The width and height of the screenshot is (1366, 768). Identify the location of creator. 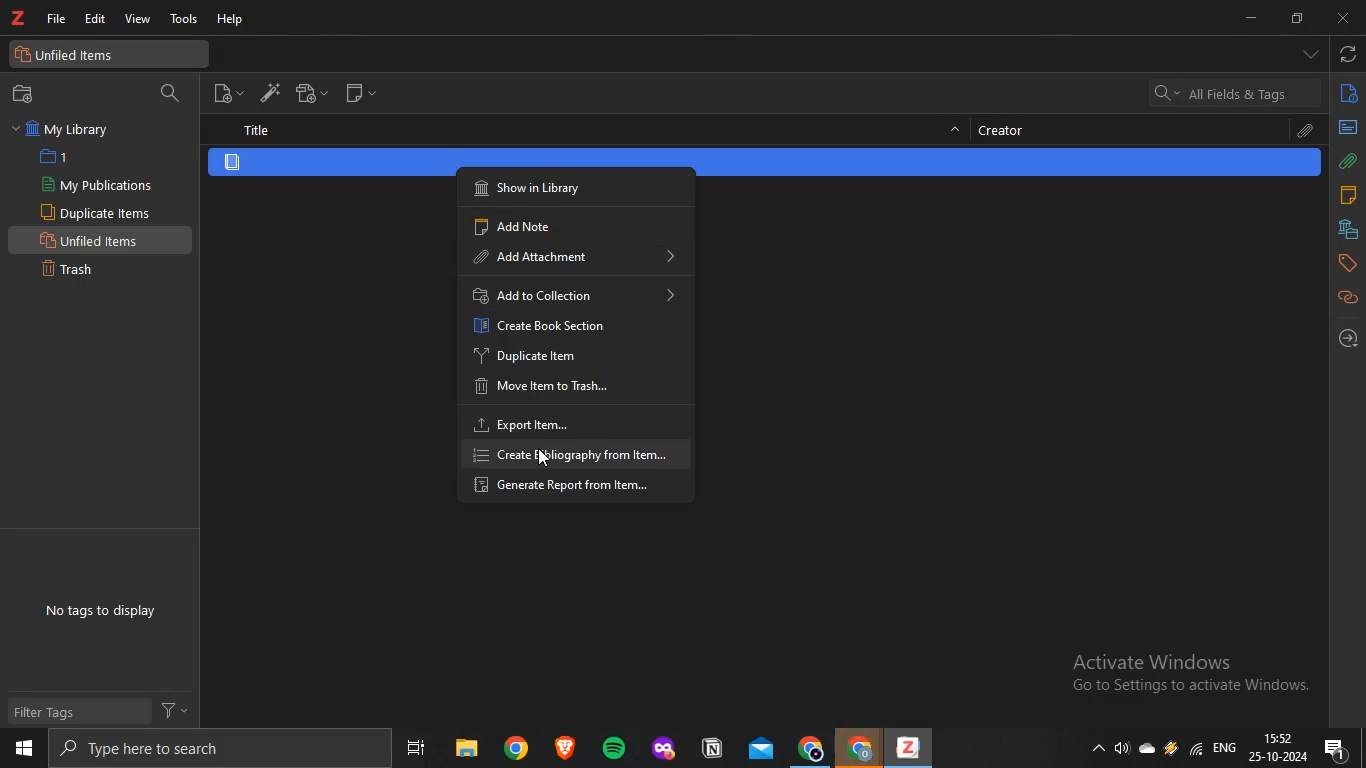
(1009, 129).